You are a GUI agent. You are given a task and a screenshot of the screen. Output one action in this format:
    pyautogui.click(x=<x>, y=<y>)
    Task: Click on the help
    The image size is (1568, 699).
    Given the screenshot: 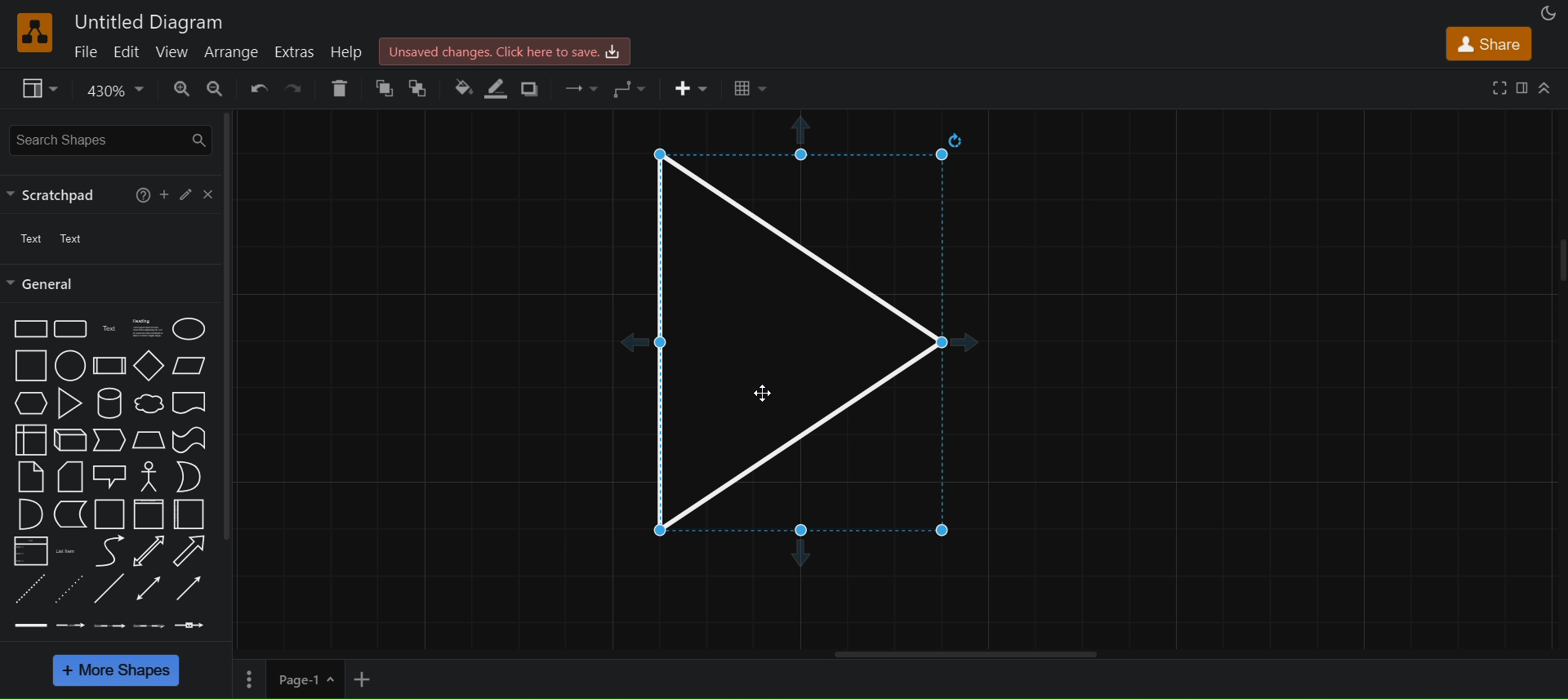 What is the action you would take?
    pyautogui.click(x=140, y=194)
    